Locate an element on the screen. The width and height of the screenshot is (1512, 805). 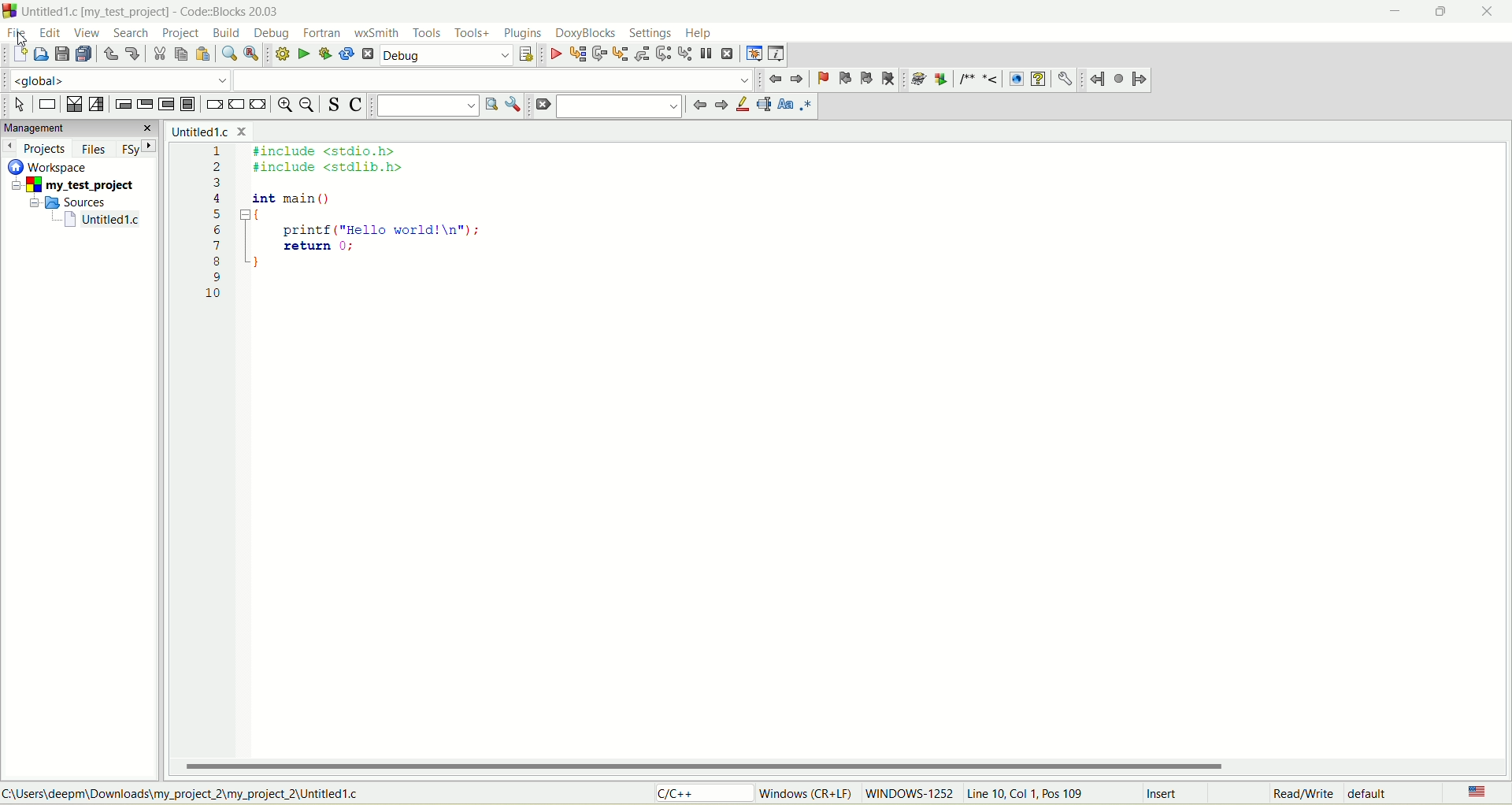
zoom out is located at coordinates (309, 106).